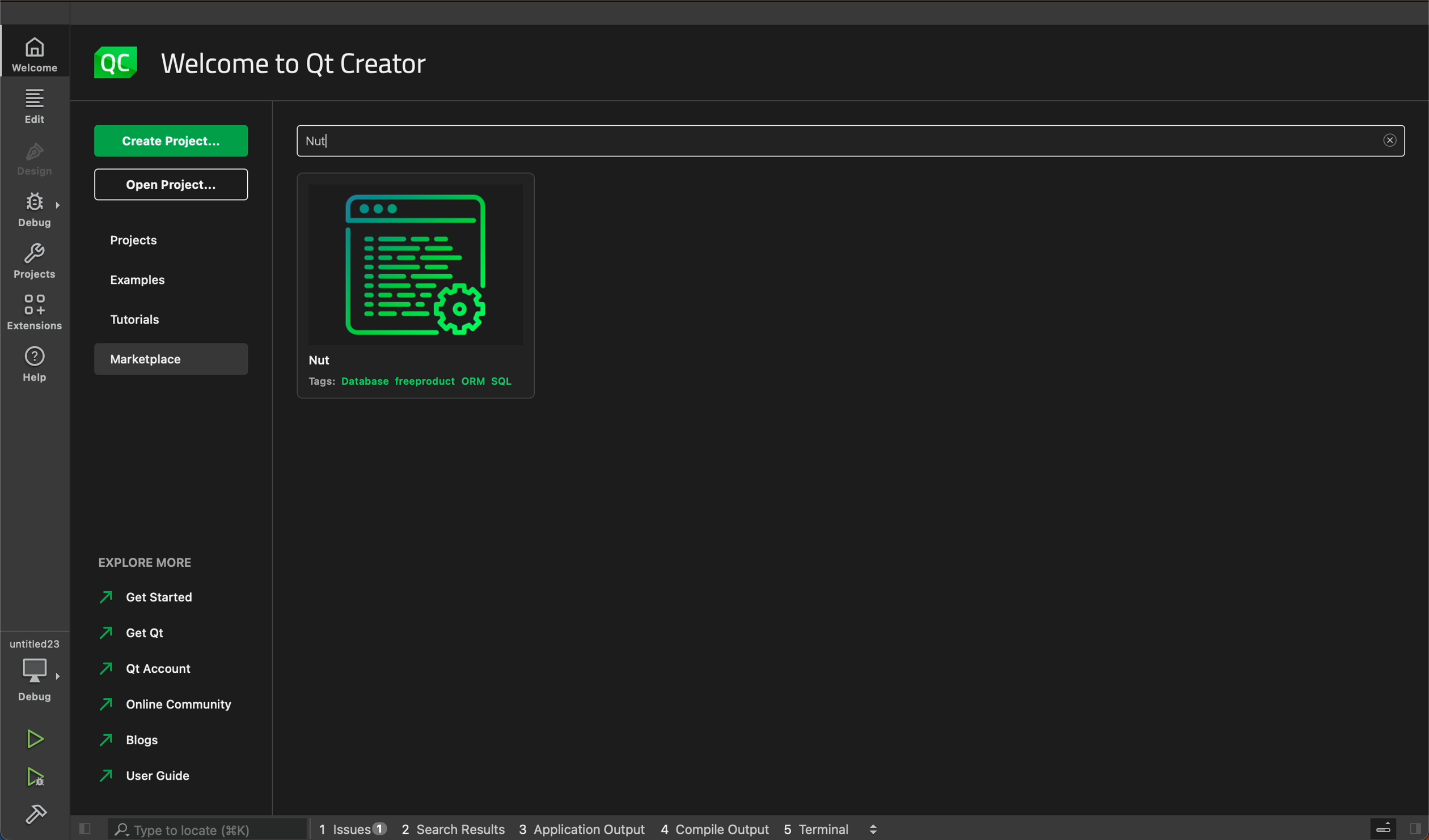 This screenshot has height=840, width=1429. Describe the element at coordinates (163, 775) in the screenshot. I see `` at that location.